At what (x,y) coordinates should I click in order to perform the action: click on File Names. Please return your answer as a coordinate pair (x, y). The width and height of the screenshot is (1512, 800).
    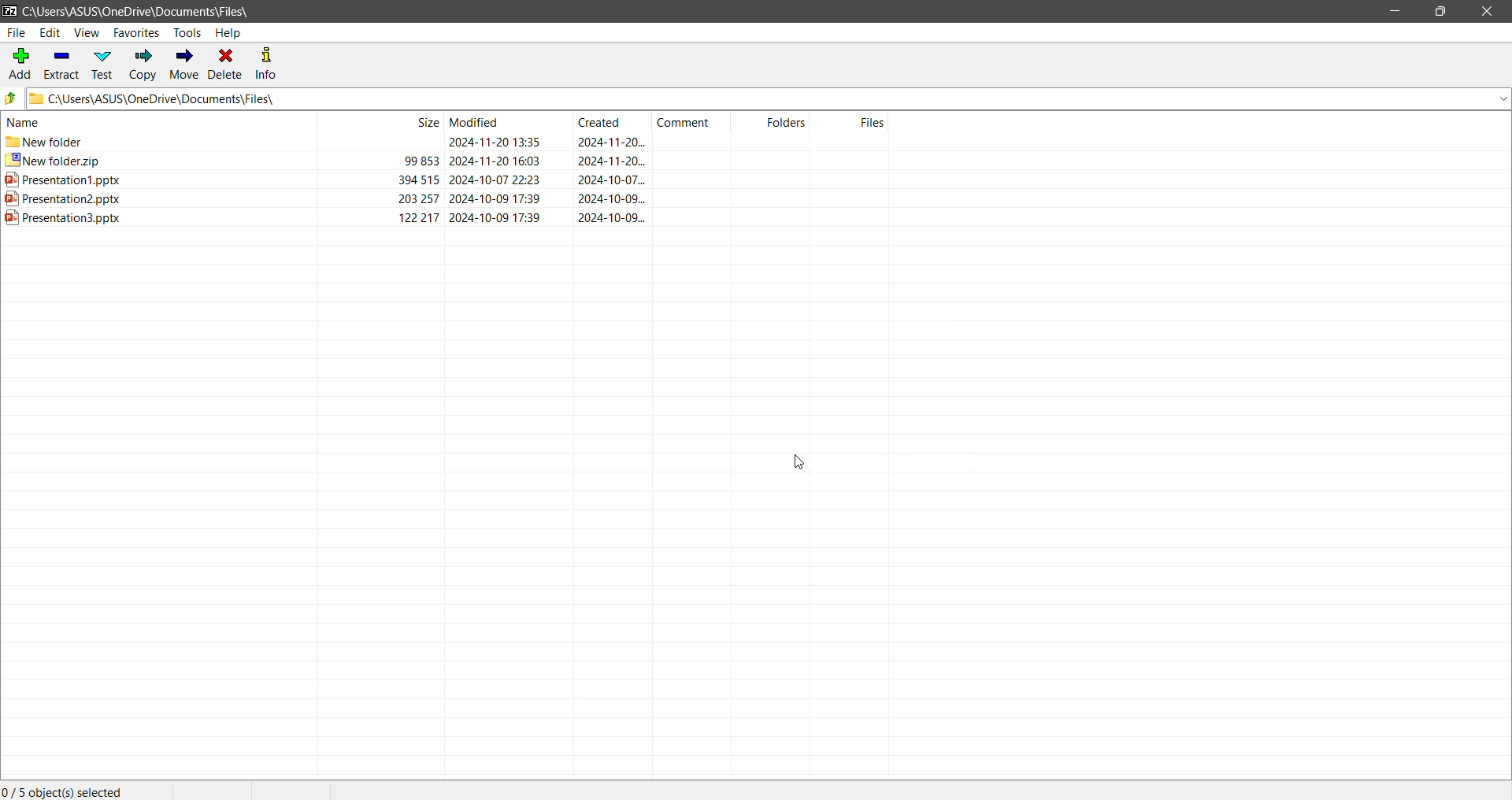
    Looking at the image, I should click on (157, 120).